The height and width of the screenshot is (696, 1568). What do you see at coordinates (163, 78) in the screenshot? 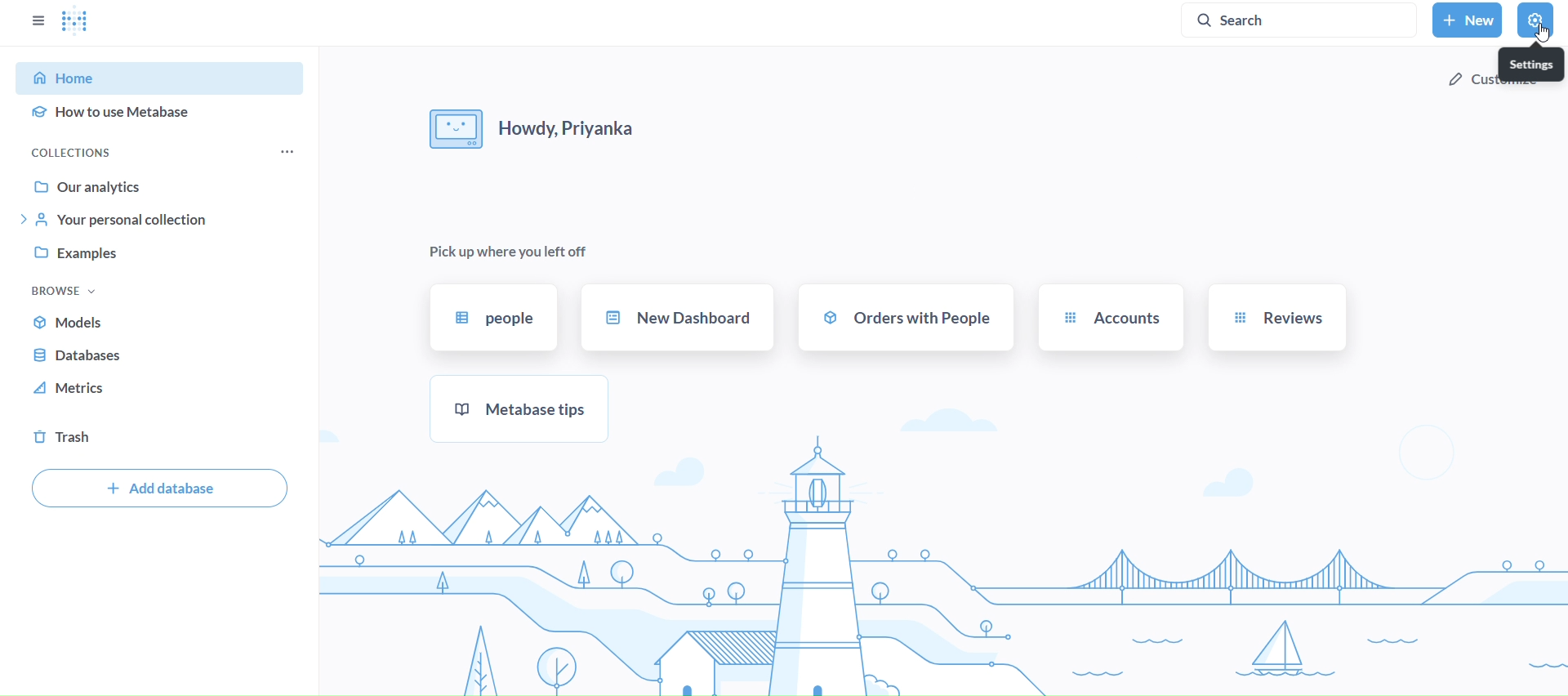
I see `home` at bounding box center [163, 78].